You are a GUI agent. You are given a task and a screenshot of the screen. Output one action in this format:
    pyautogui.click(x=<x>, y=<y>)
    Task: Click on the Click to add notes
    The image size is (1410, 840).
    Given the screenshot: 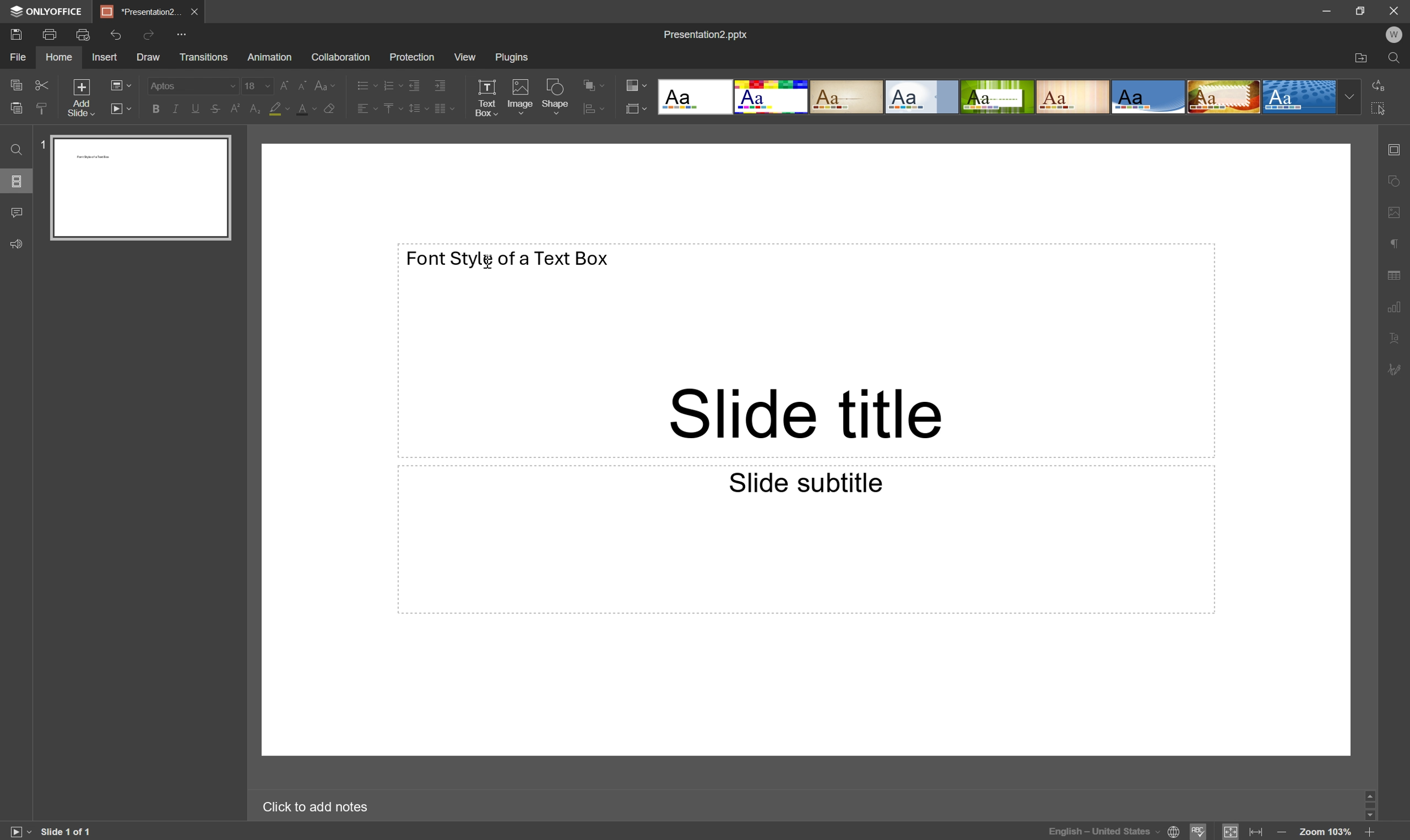 What is the action you would take?
    pyautogui.click(x=317, y=806)
    